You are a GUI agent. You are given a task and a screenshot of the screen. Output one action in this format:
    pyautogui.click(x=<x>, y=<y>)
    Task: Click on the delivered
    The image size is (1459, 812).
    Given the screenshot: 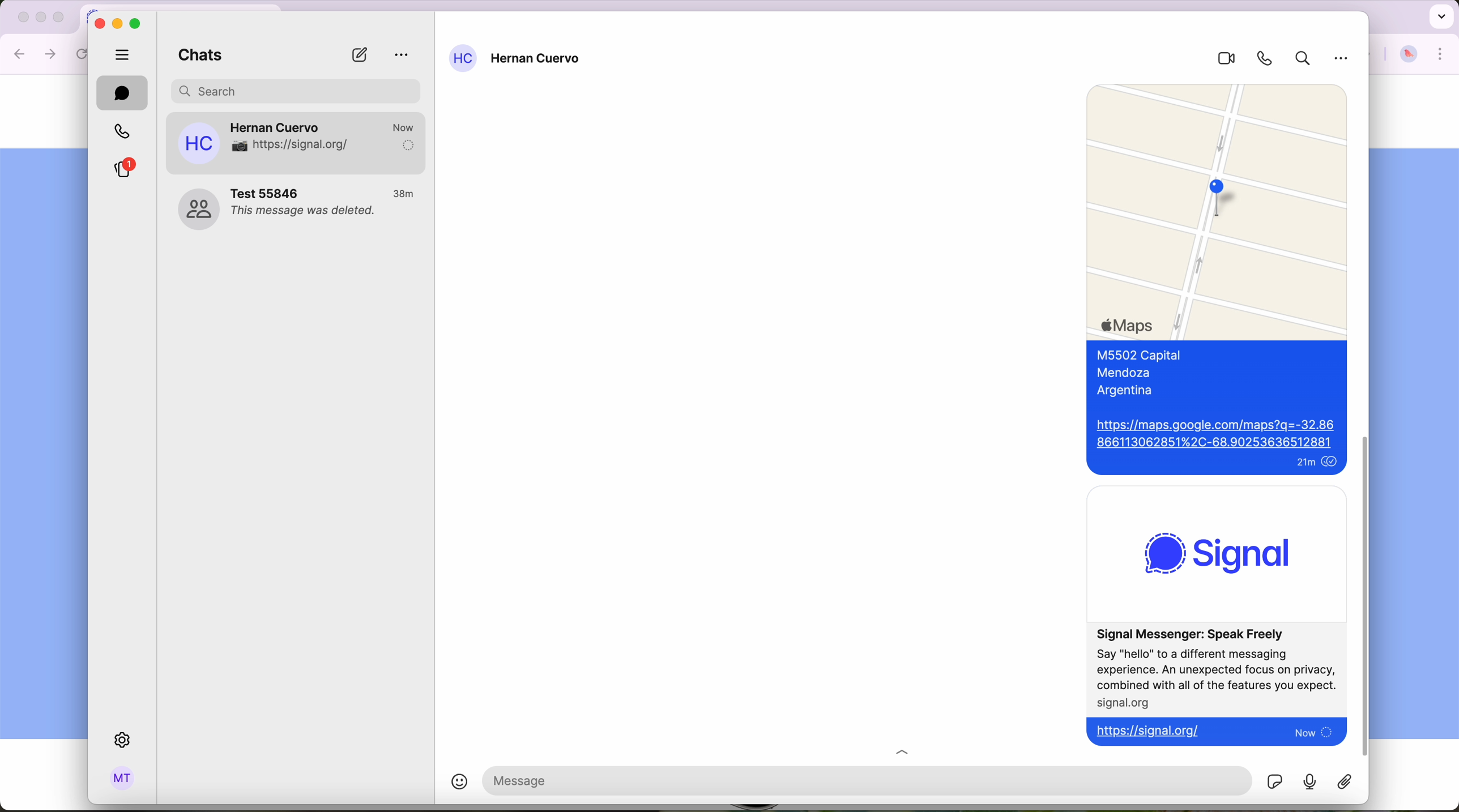 What is the action you would take?
    pyautogui.click(x=407, y=146)
    